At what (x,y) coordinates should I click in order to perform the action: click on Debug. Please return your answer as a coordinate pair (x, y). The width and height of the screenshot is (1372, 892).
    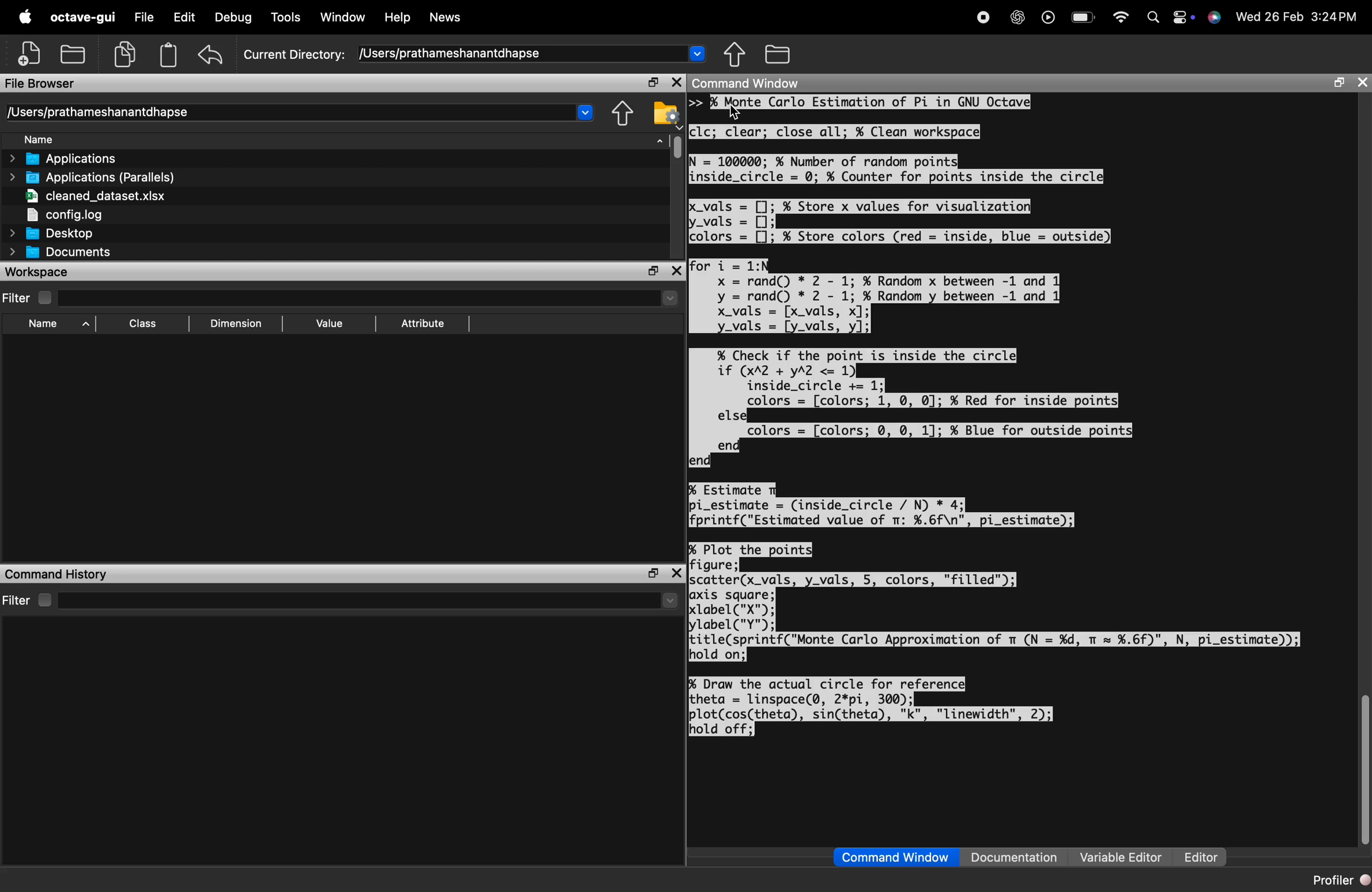
    Looking at the image, I should click on (230, 18).